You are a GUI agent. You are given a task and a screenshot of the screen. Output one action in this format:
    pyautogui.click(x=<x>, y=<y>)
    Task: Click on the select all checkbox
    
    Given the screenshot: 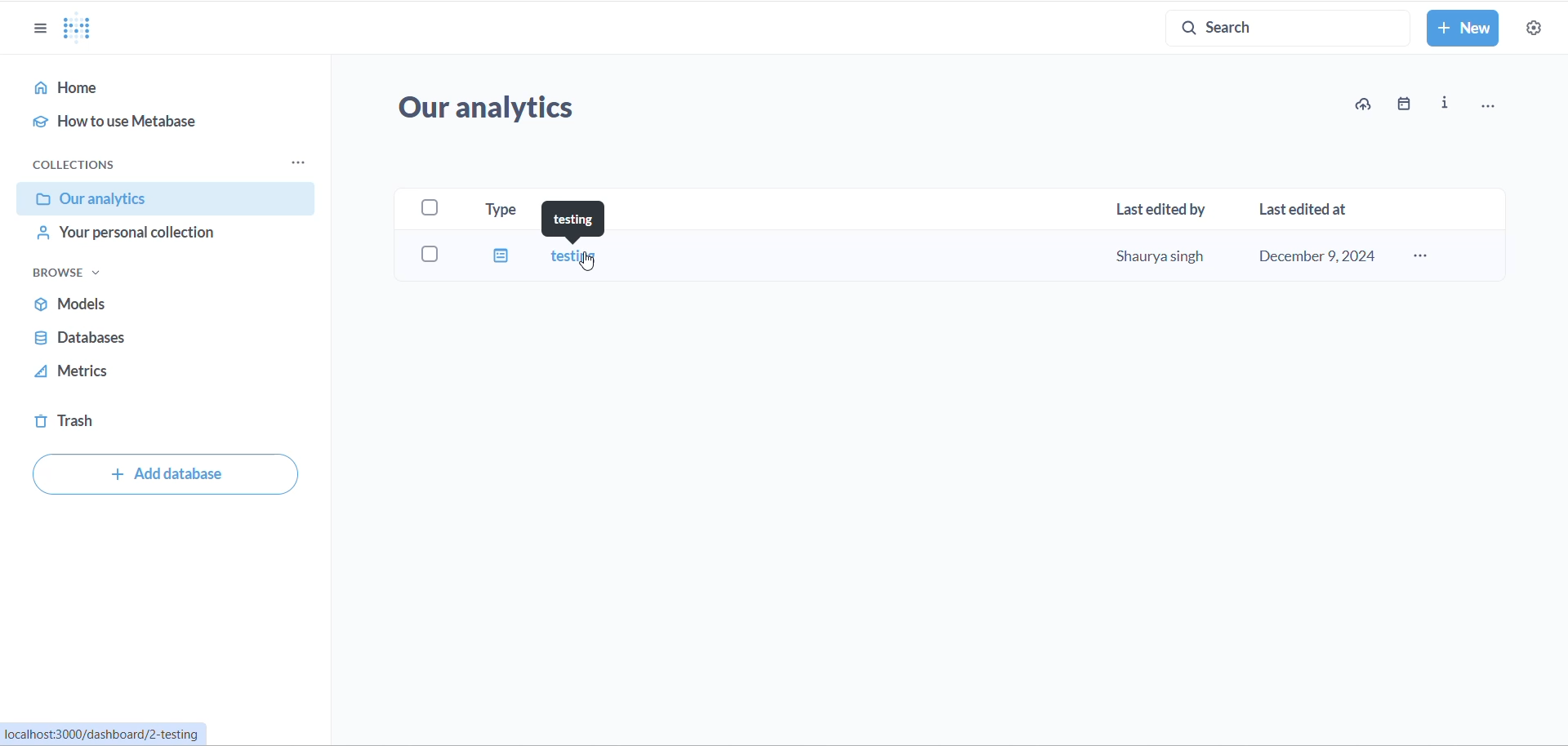 What is the action you would take?
    pyautogui.click(x=432, y=209)
    